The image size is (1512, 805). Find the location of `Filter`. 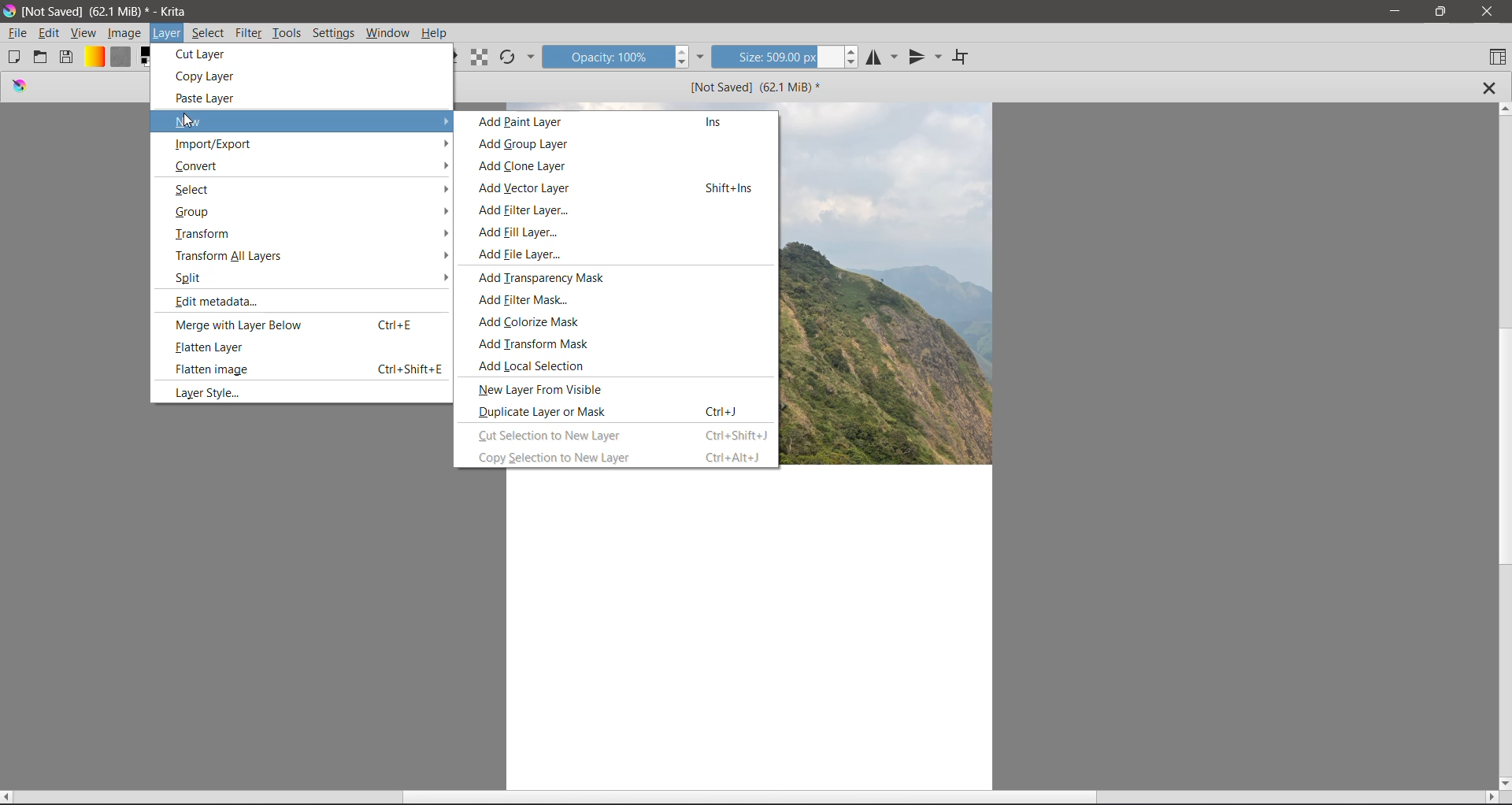

Filter is located at coordinates (250, 33).